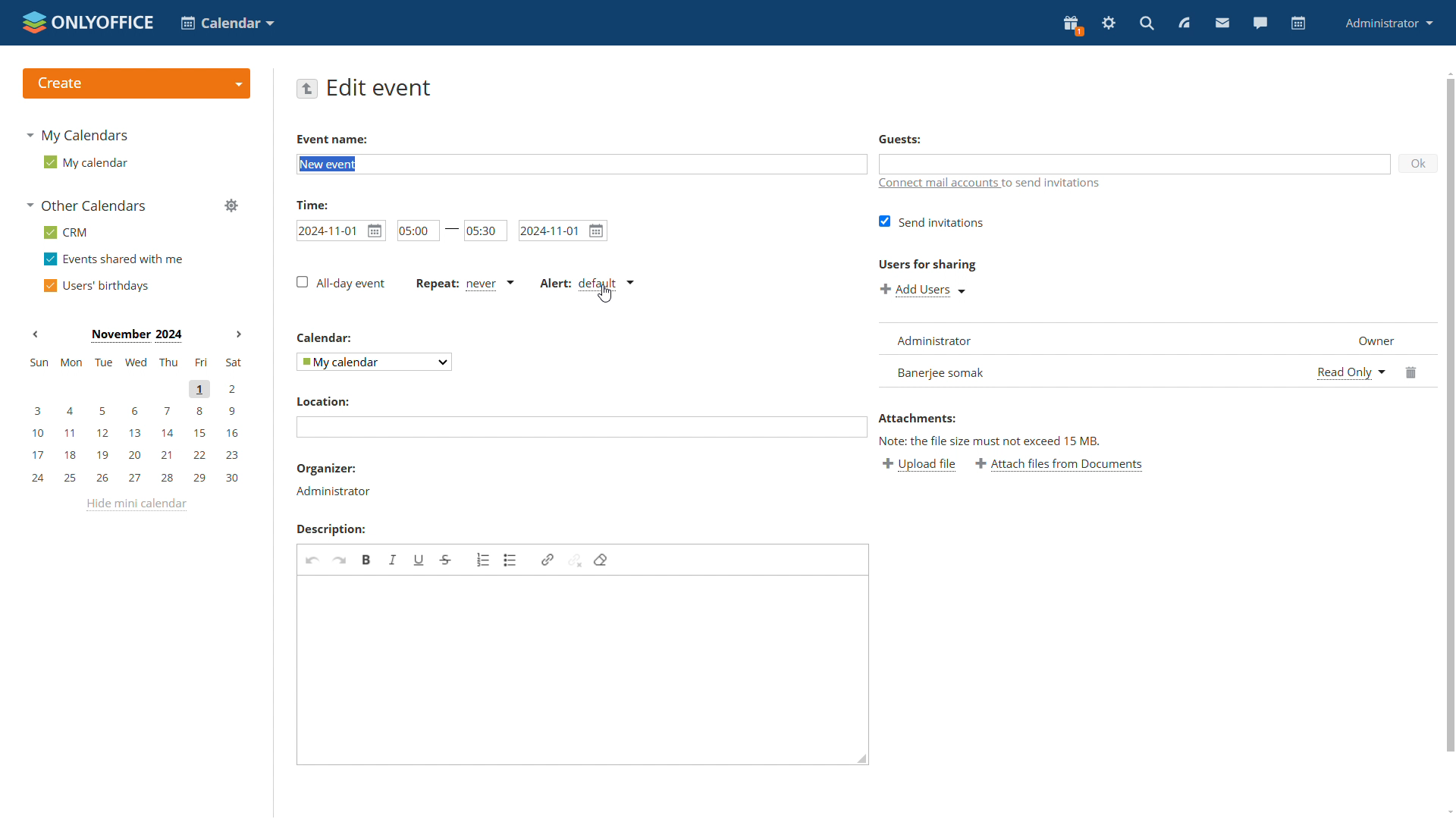 Image resolution: width=1456 pixels, height=819 pixels. What do you see at coordinates (930, 265) in the screenshot?
I see `Users for sharing` at bounding box center [930, 265].